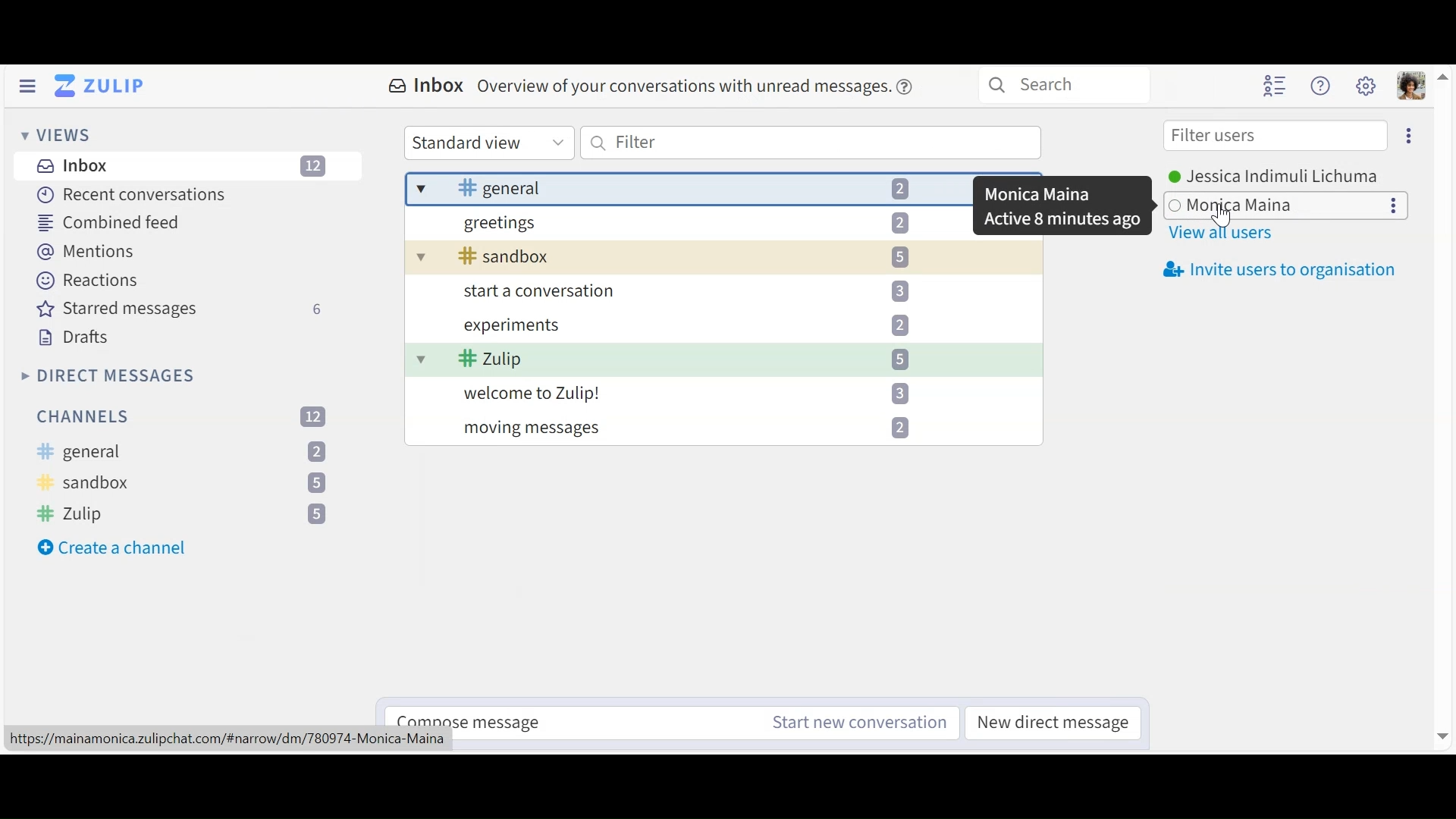  What do you see at coordinates (26, 85) in the screenshot?
I see `Hide Left Sidebar` at bounding box center [26, 85].